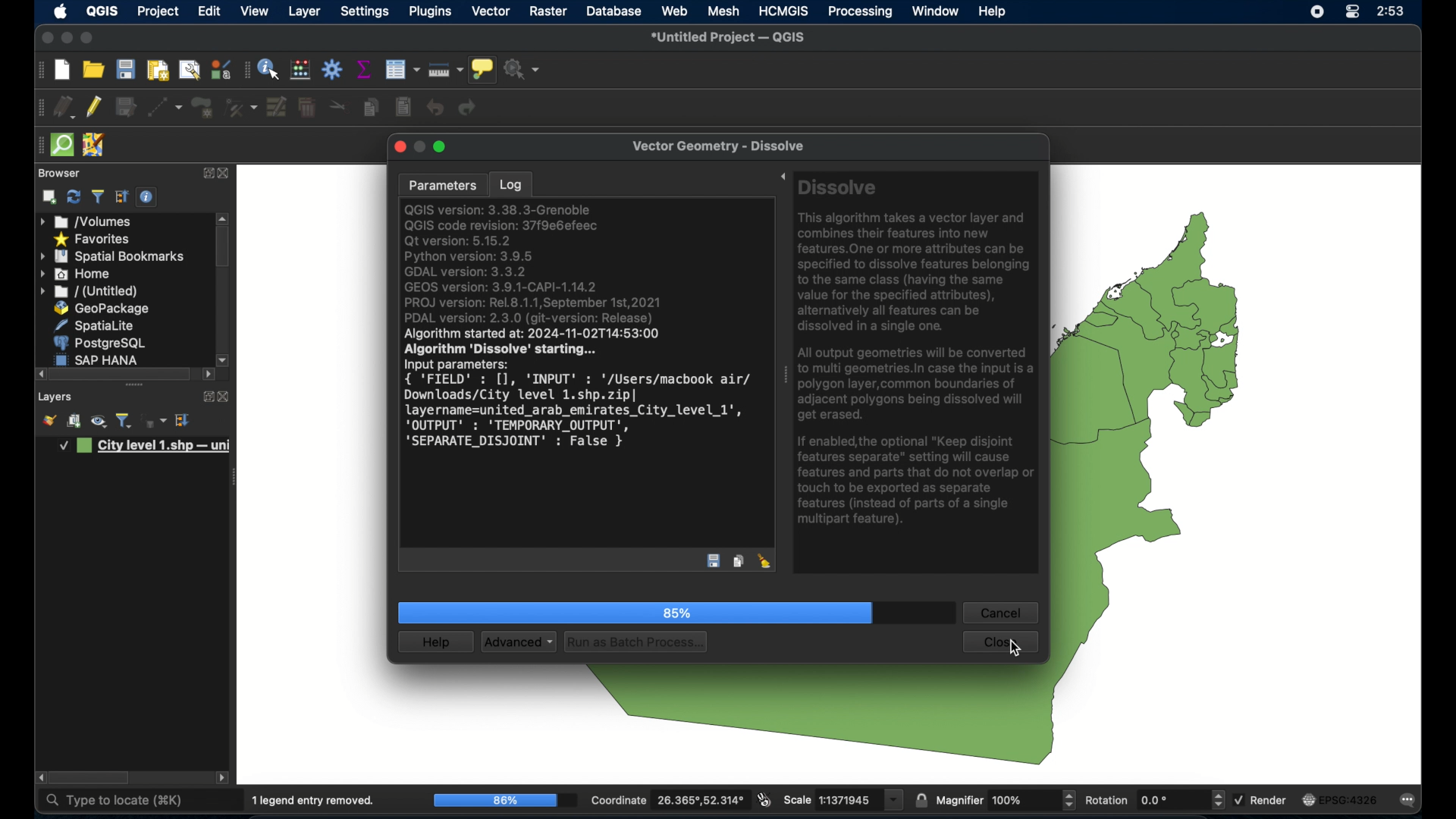 Image resolution: width=1456 pixels, height=819 pixels. Describe the element at coordinates (113, 801) in the screenshot. I see `type to locate` at that location.